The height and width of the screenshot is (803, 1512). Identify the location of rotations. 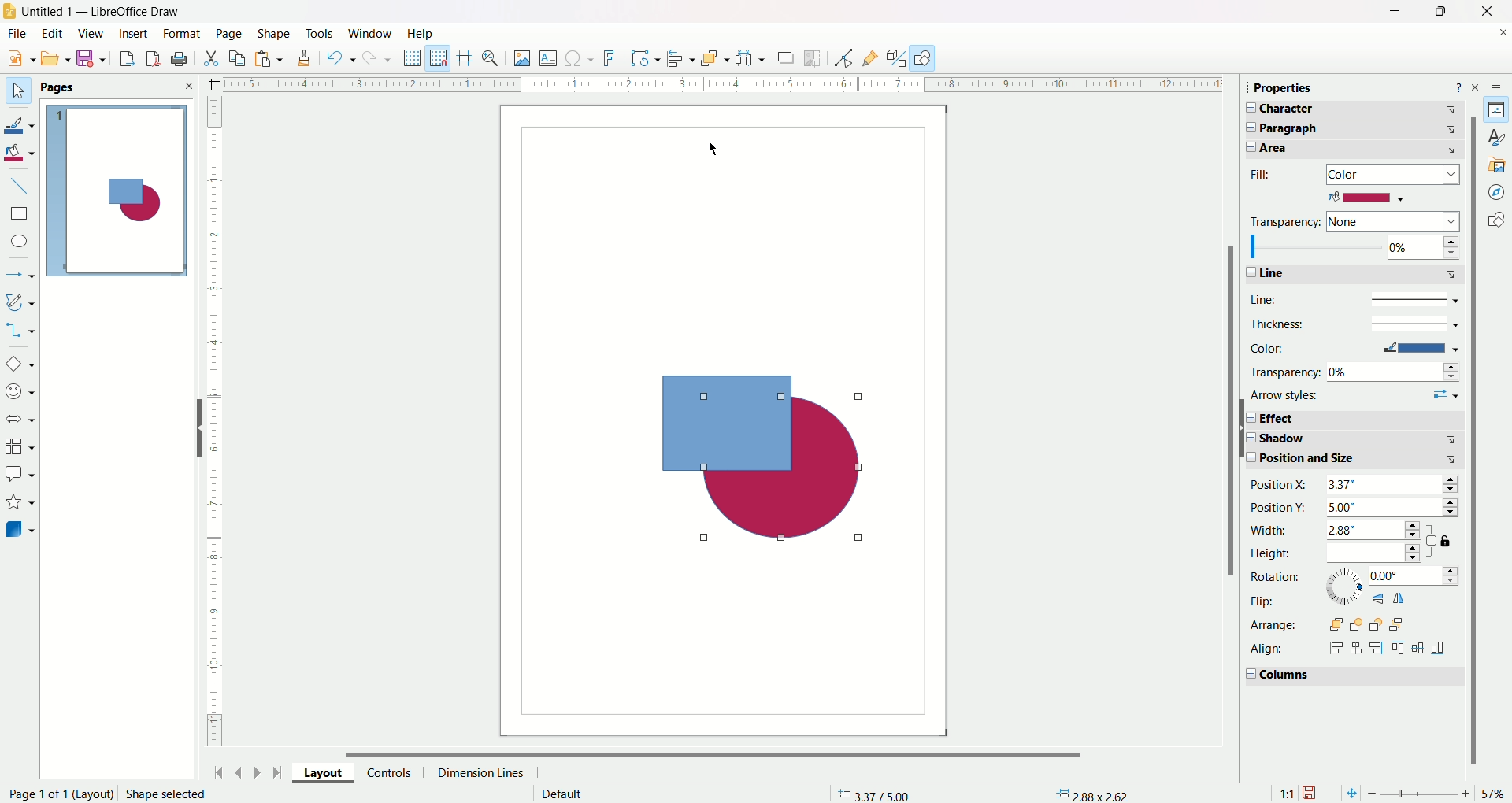
(1353, 579).